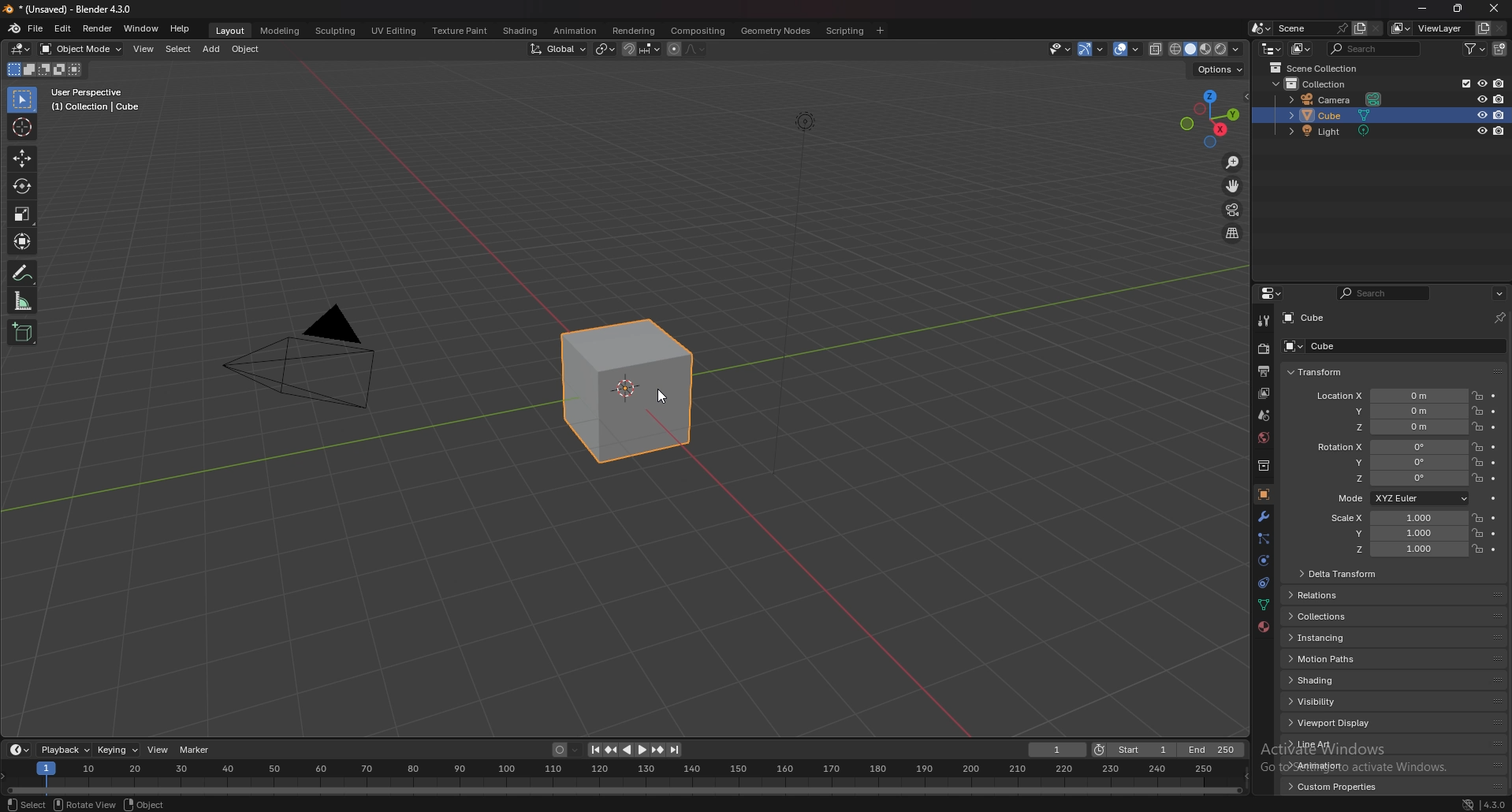 The height and width of the screenshot is (812, 1512). Describe the element at coordinates (1481, 83) in the screenshot. I see `hide in viewport` at that location.